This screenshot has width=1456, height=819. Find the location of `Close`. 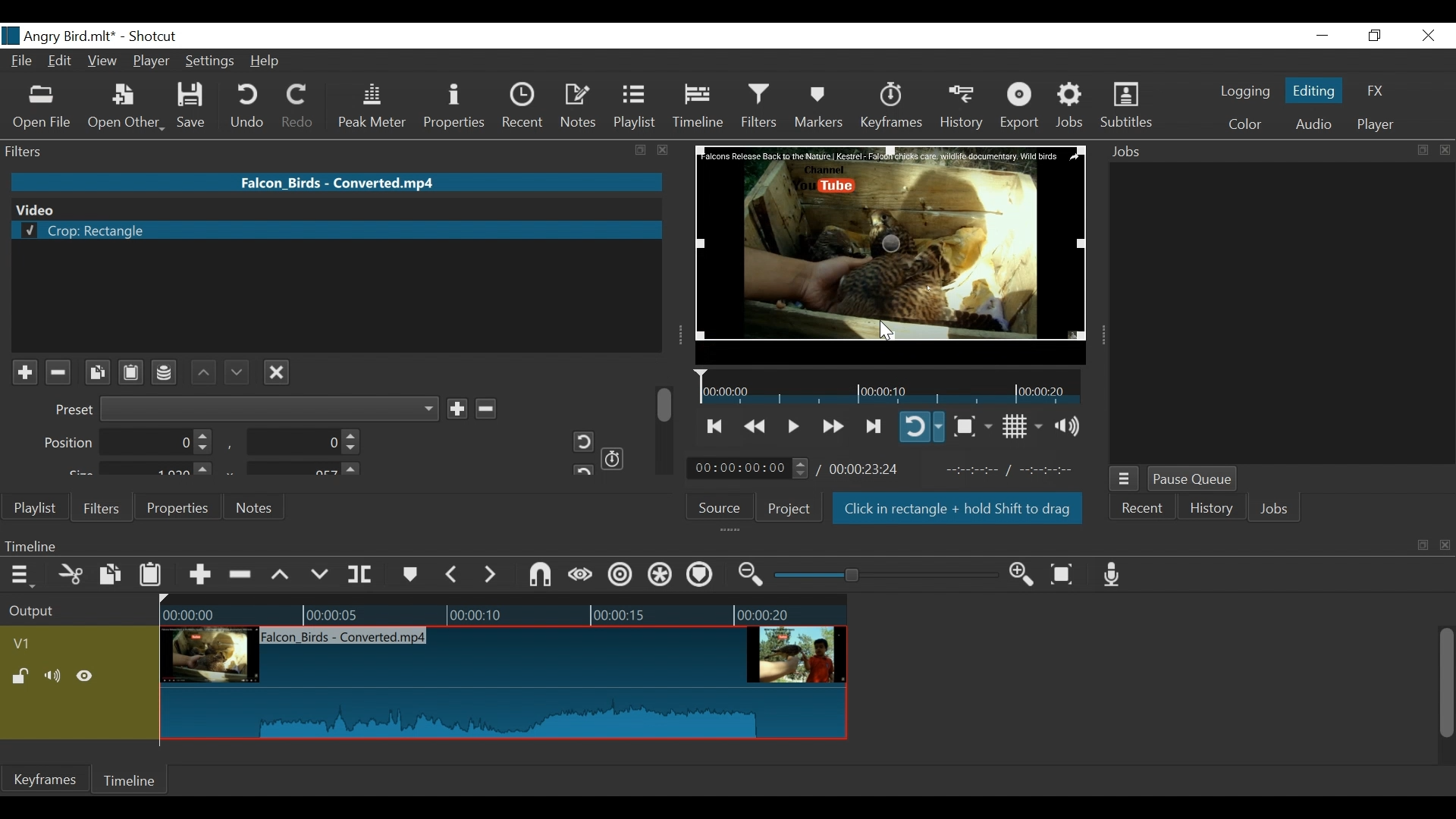

Close is located at coordinates (277, 370).